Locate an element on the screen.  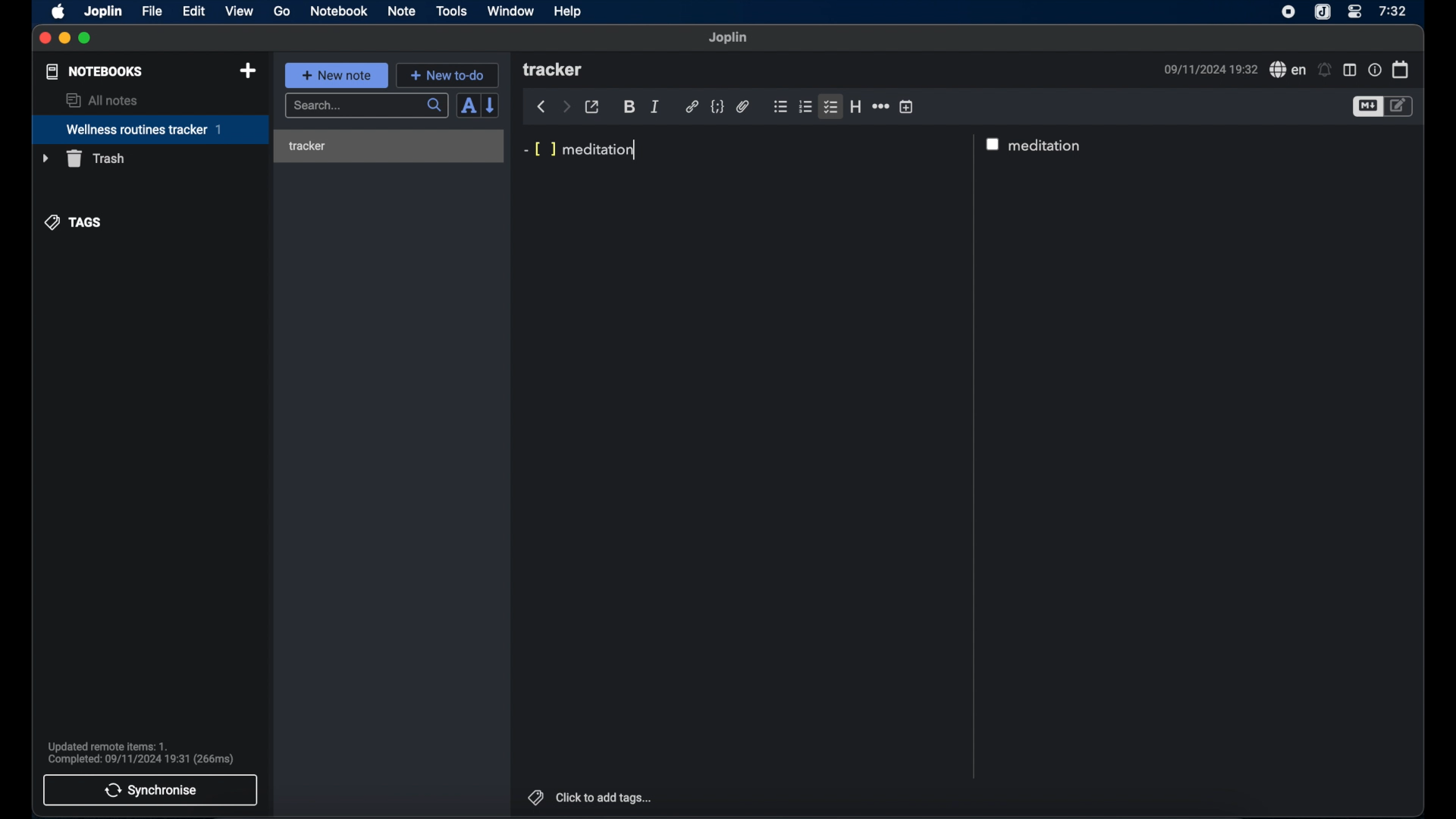
notebook is located at coordinates (339, 11).